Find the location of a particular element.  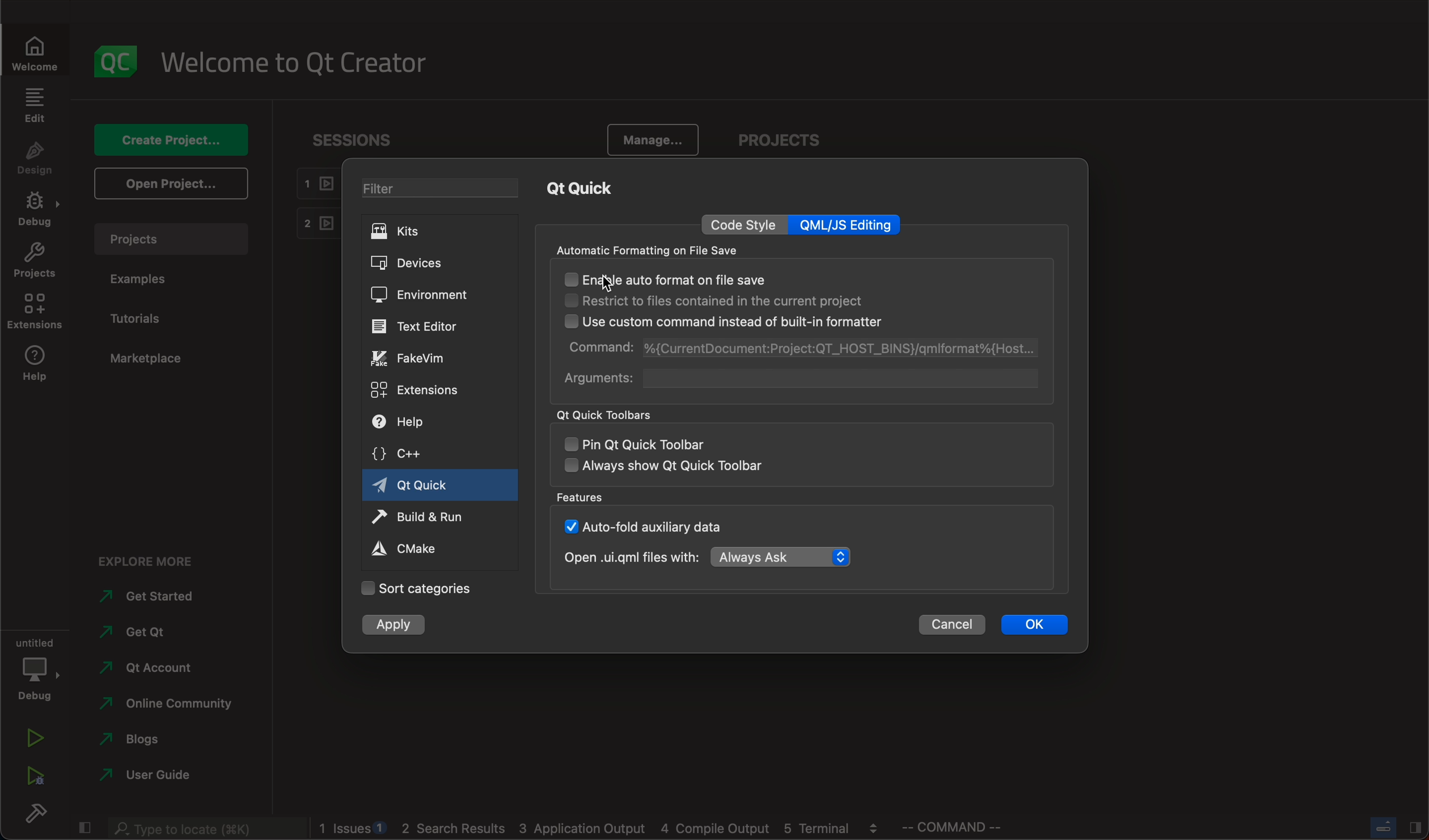

apply is located at coordinates (407, 625).